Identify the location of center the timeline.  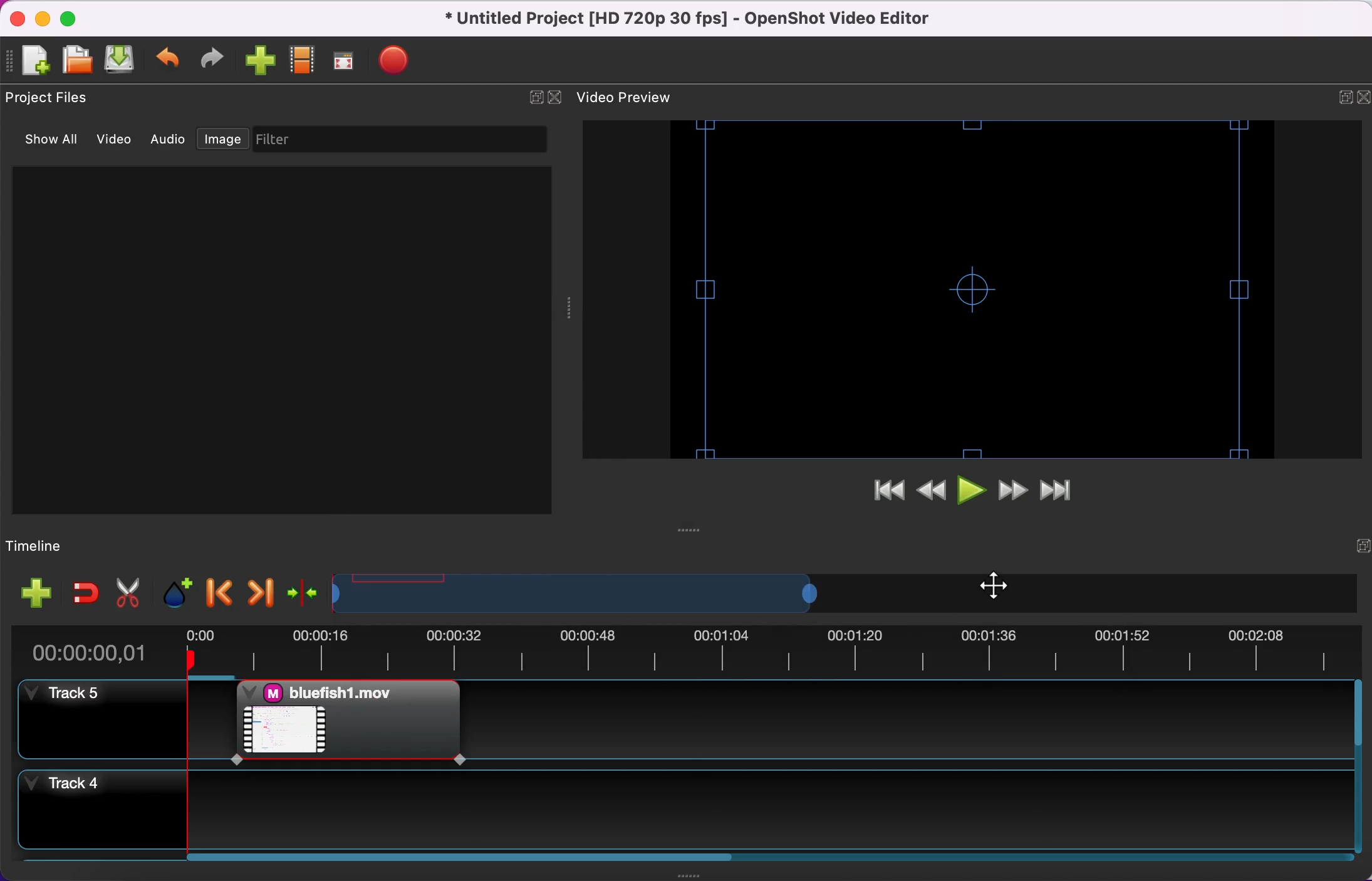
(302, 595).